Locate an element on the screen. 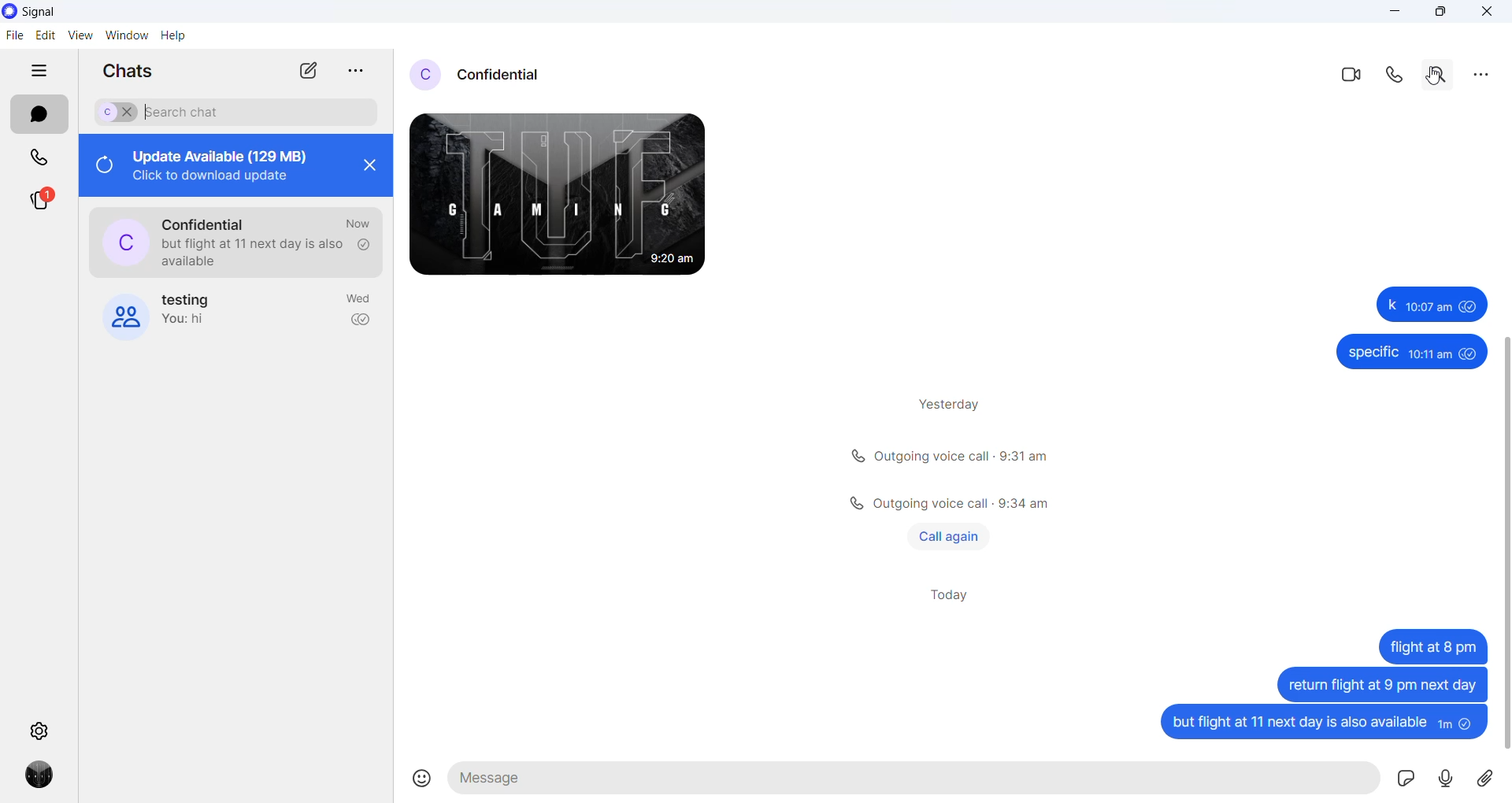 The image size is (1512, 803). message text area is located at coordinates (918, 779).